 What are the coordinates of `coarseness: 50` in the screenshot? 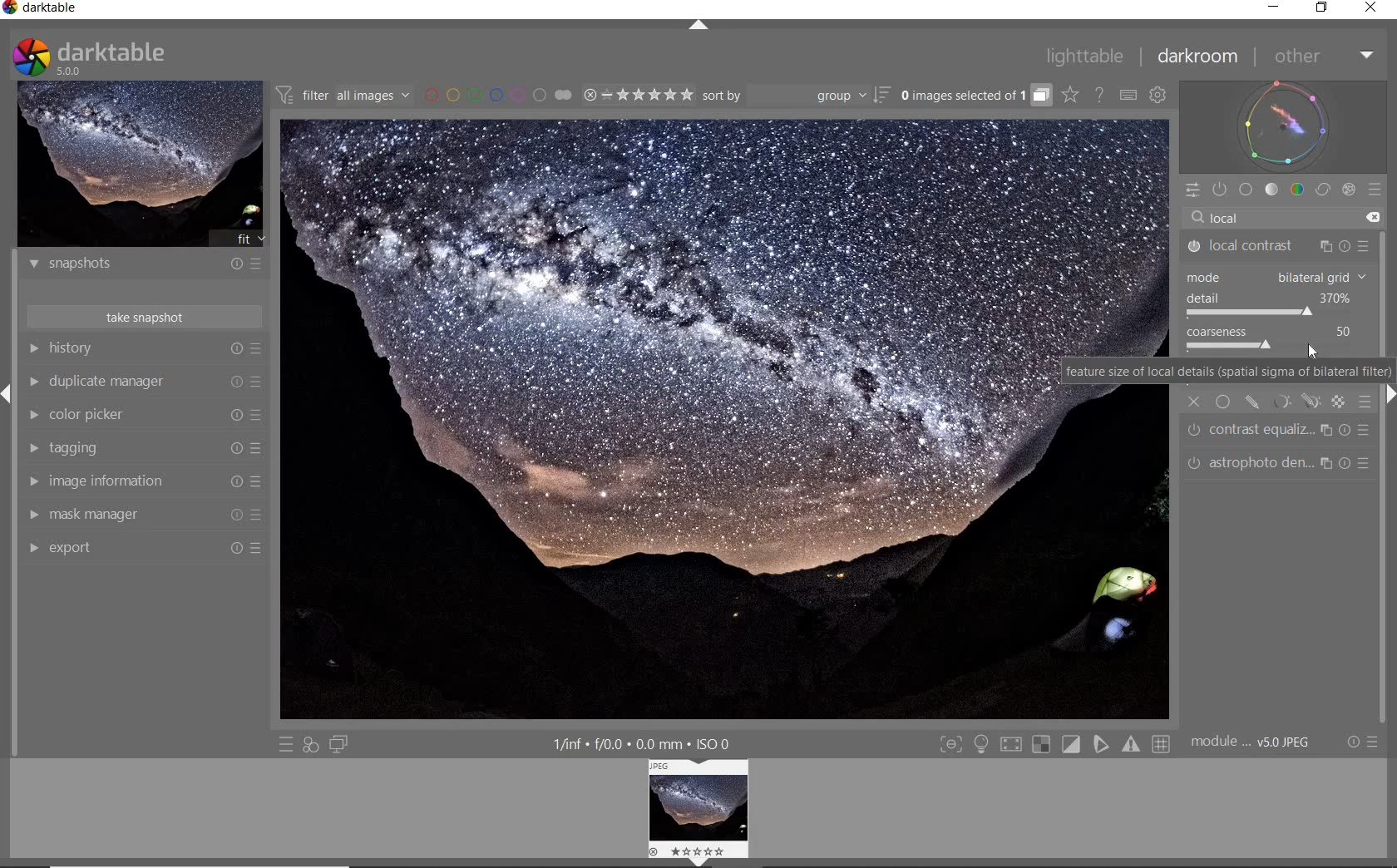 It's located at (1267, 332).